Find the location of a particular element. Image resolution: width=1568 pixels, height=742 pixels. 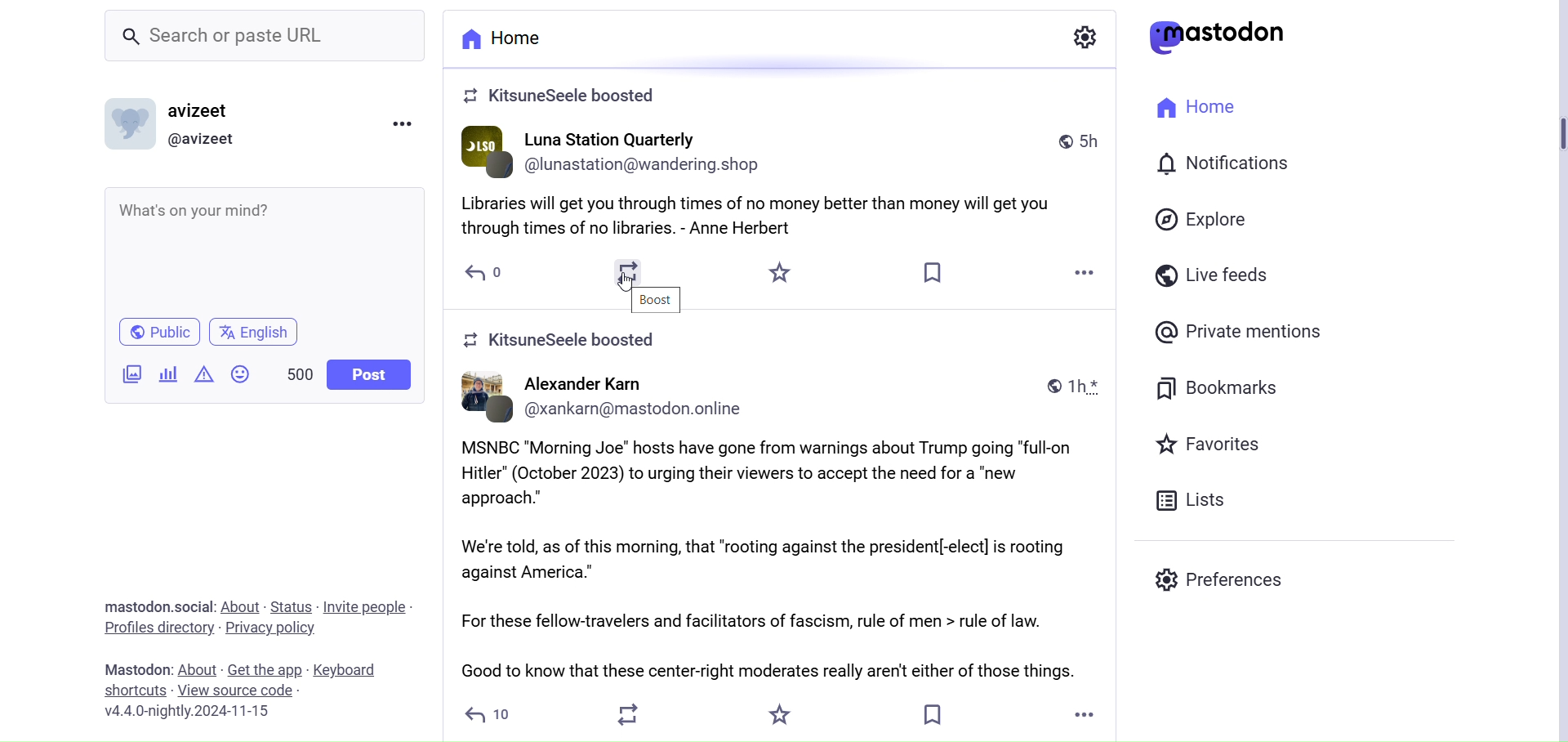

Privacy Policy is located at coordinates (275, 628).